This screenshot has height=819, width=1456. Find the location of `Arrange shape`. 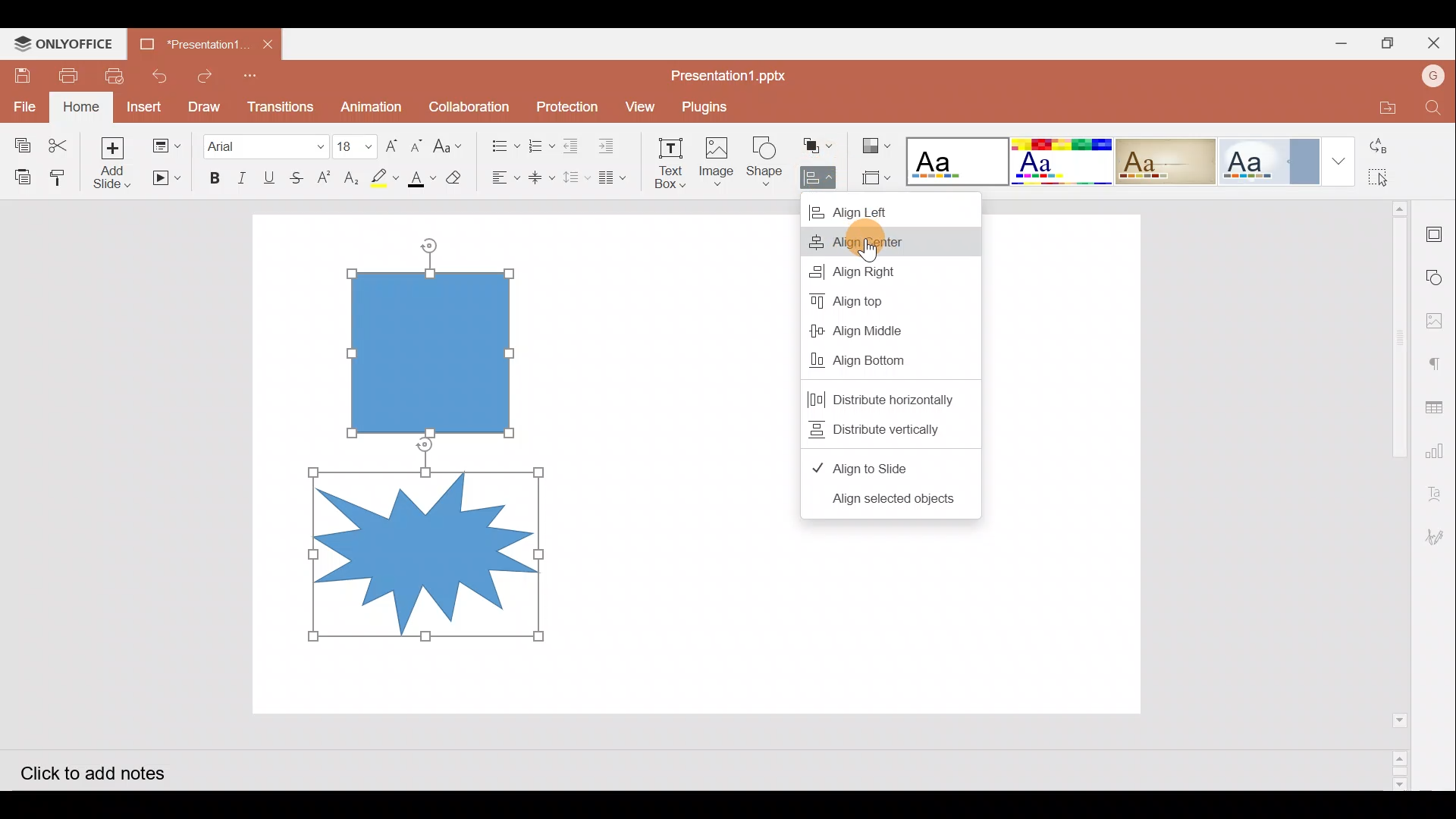

Arrange shape is located at coordinates (819, 141).